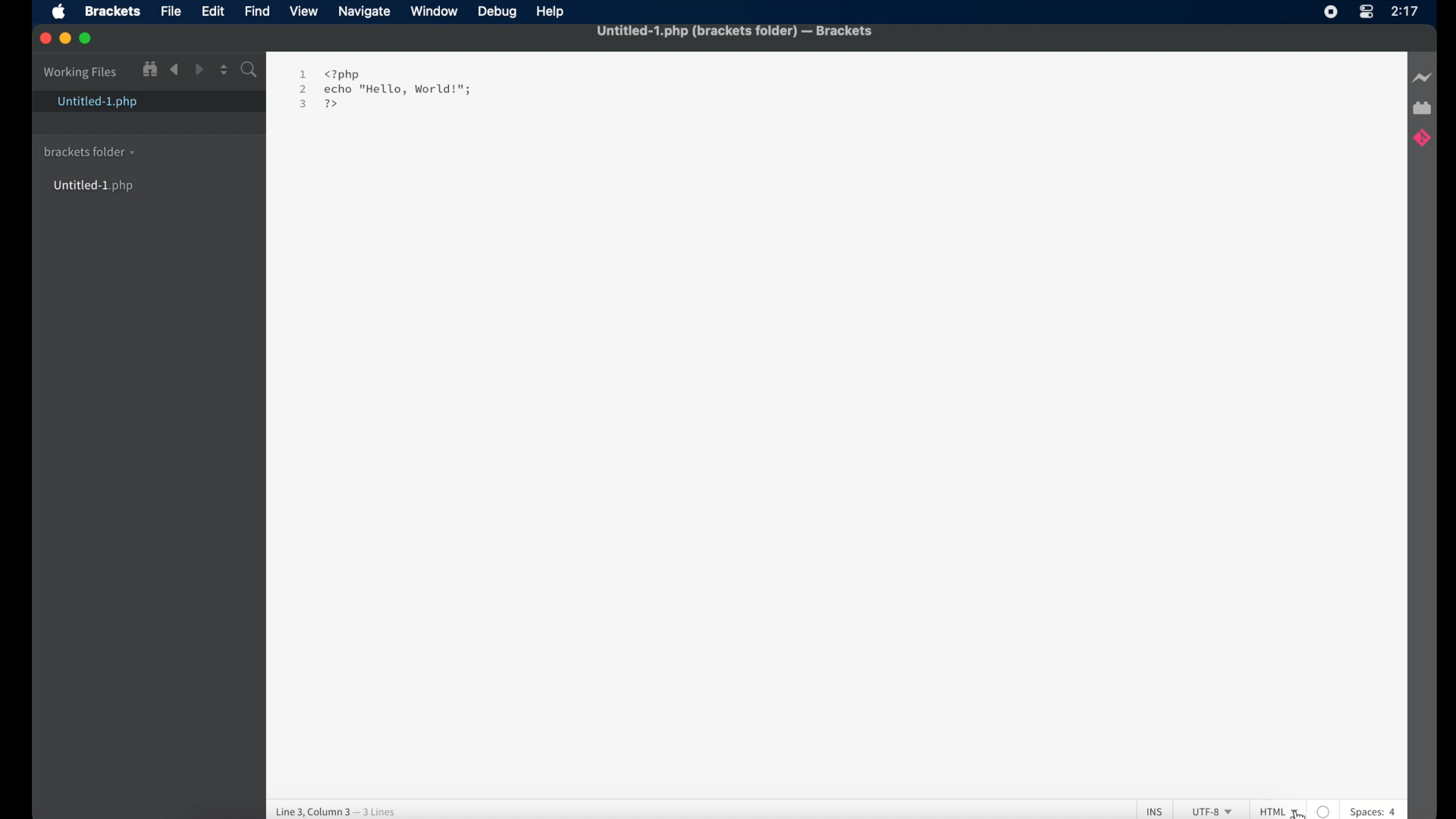  Describe the element at coordinates (1297, 813) in the screenshot. I see `cursor` at that location.